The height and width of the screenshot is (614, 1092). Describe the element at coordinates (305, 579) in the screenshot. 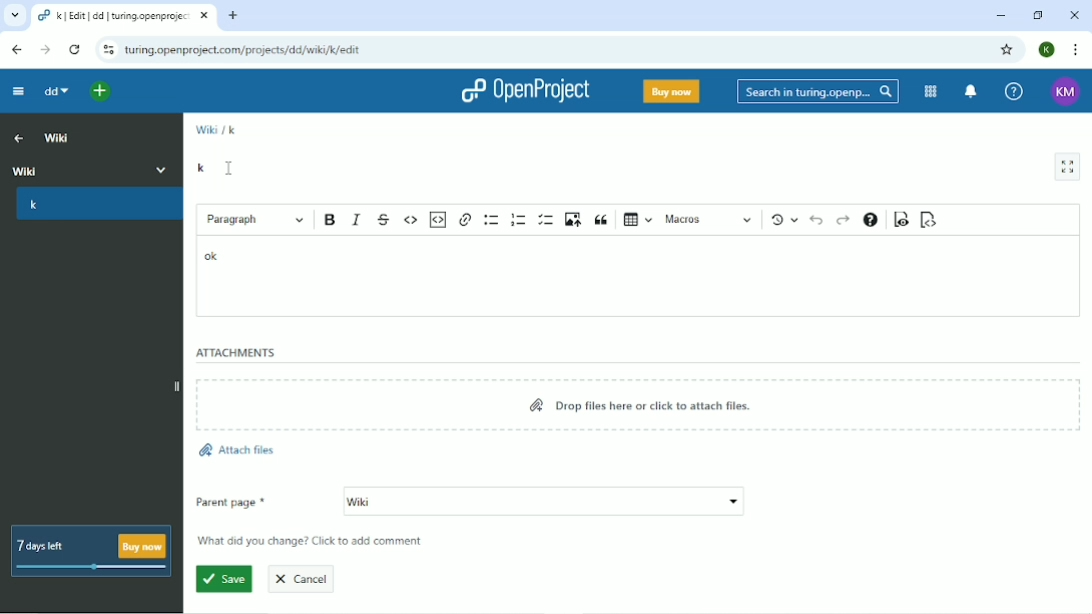

I see `Cancel` at that location.